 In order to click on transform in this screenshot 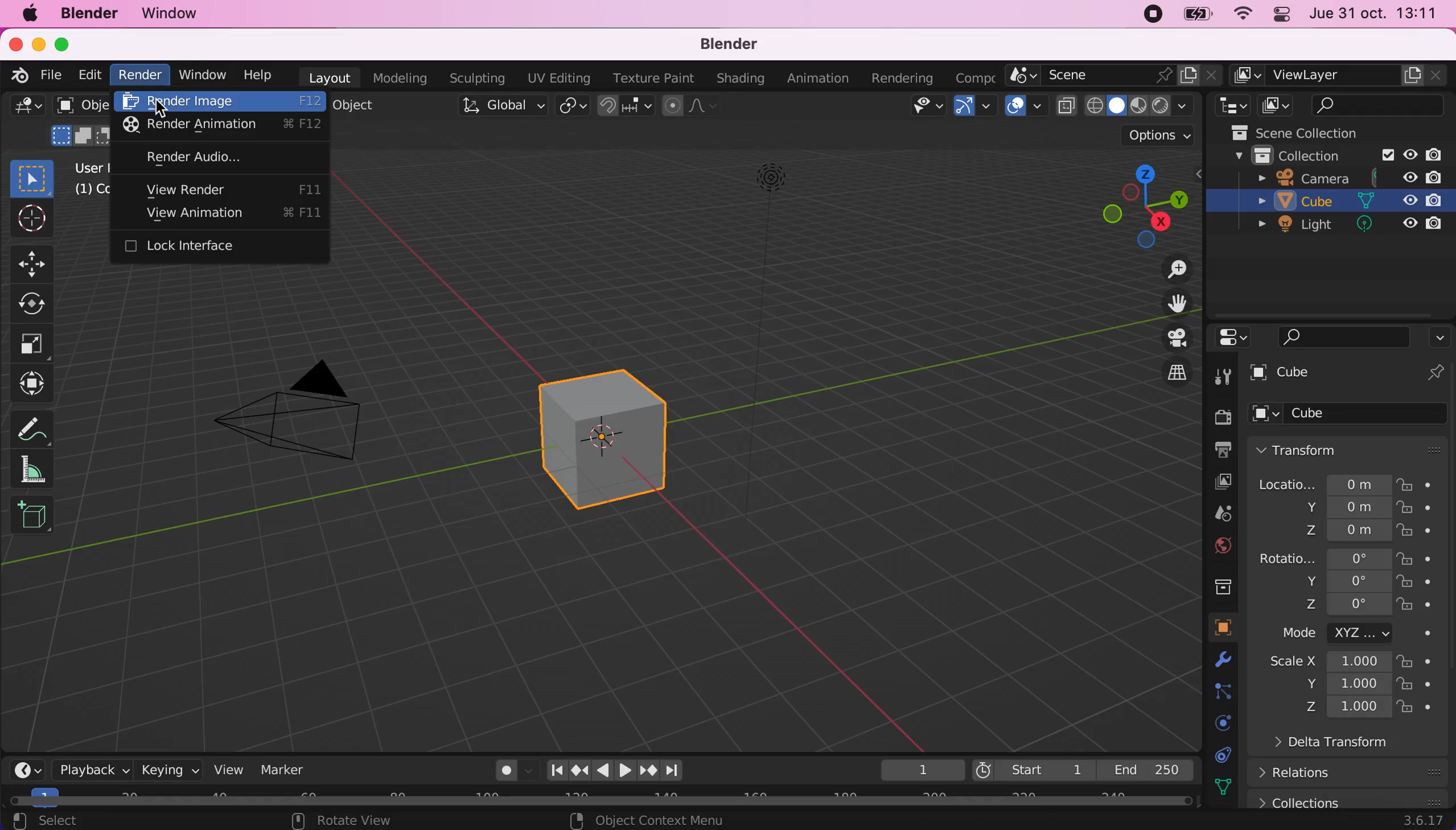, I will do `click(28, 383)`.